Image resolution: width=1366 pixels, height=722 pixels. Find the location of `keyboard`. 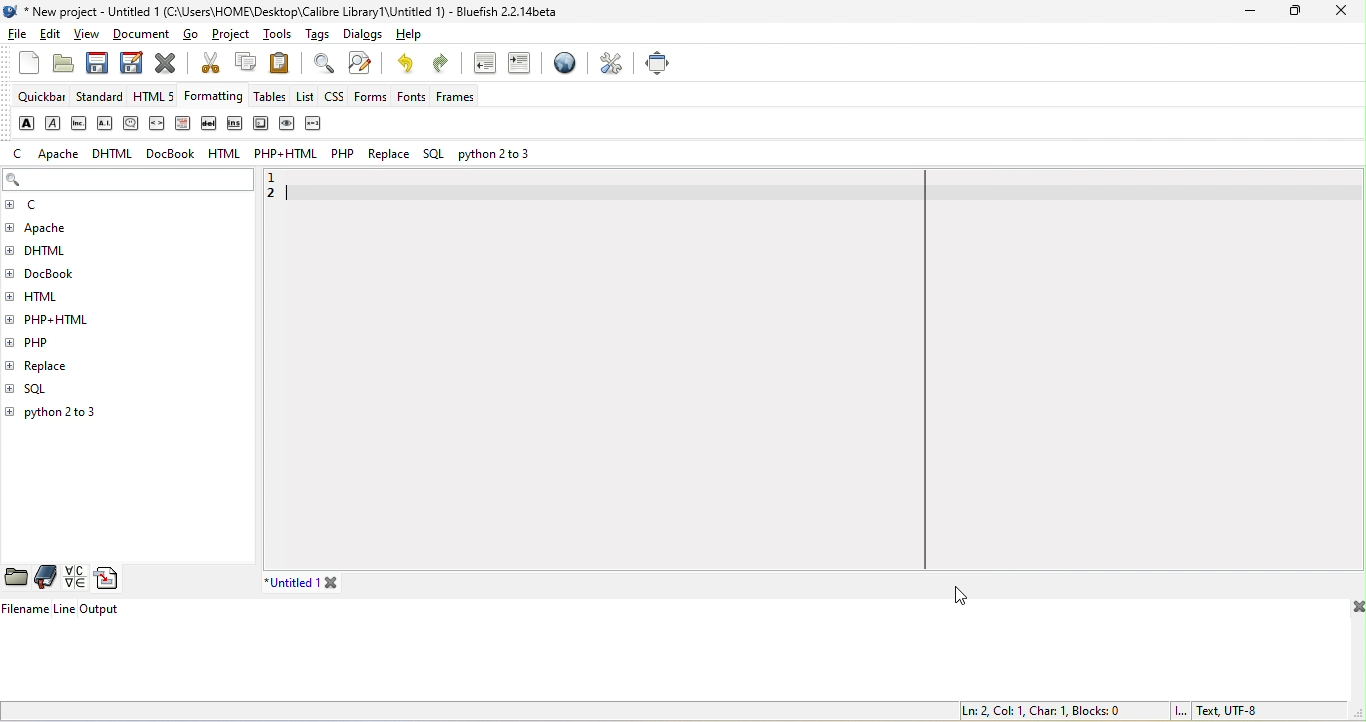

keyboard is located at coordinates (260, 124).